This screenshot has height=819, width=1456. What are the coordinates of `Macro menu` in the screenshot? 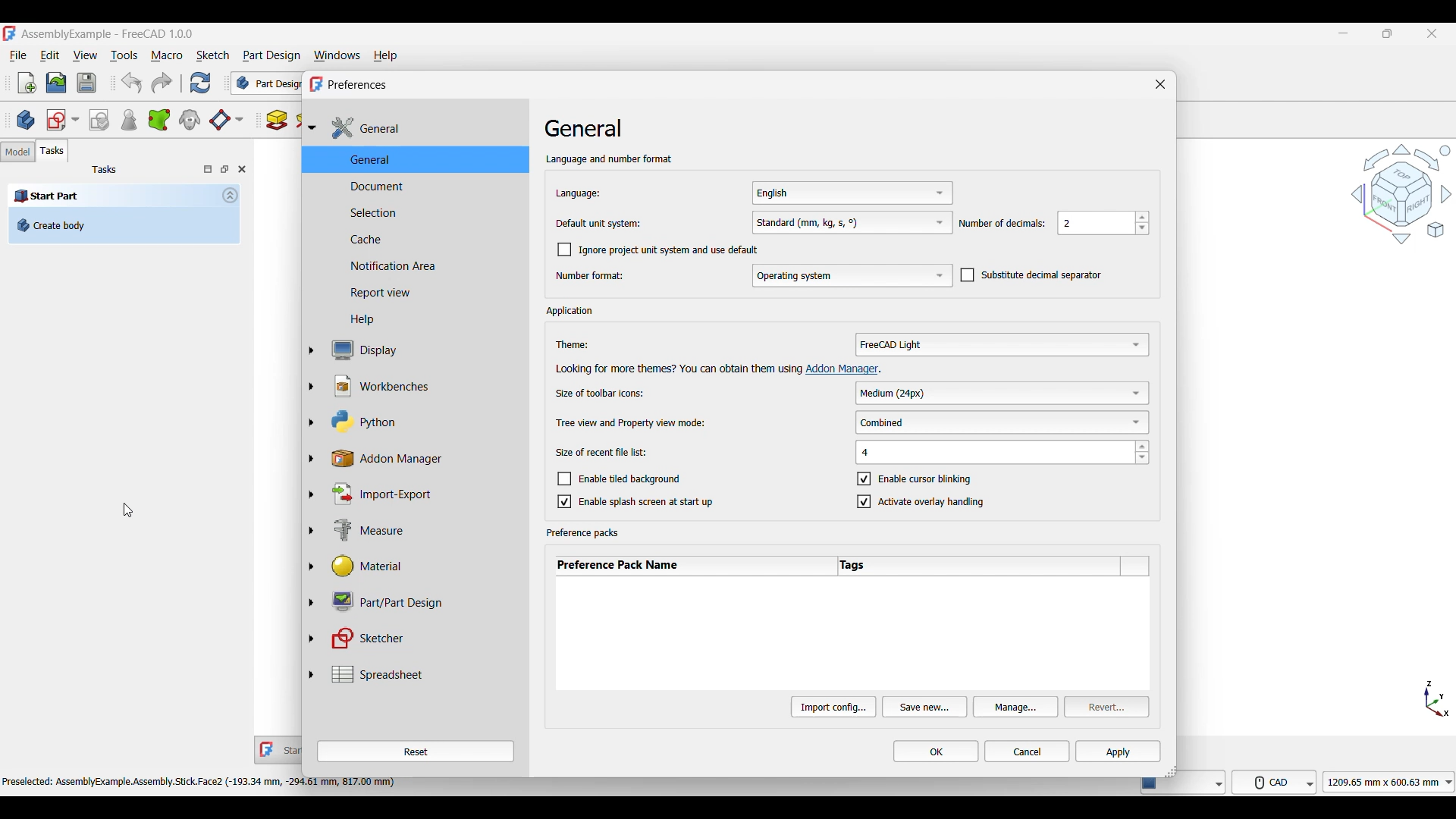 It's located at (166, 56).